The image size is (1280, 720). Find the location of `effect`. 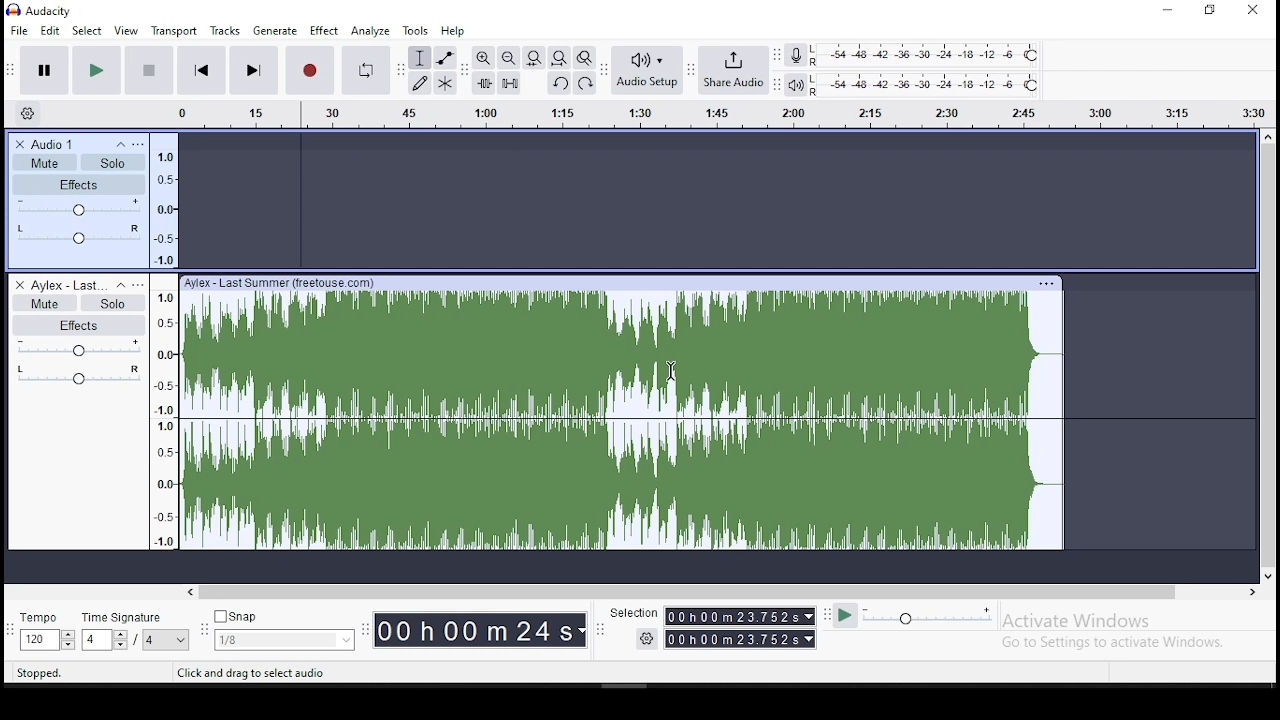

effect is located at coordinates (323, 31).